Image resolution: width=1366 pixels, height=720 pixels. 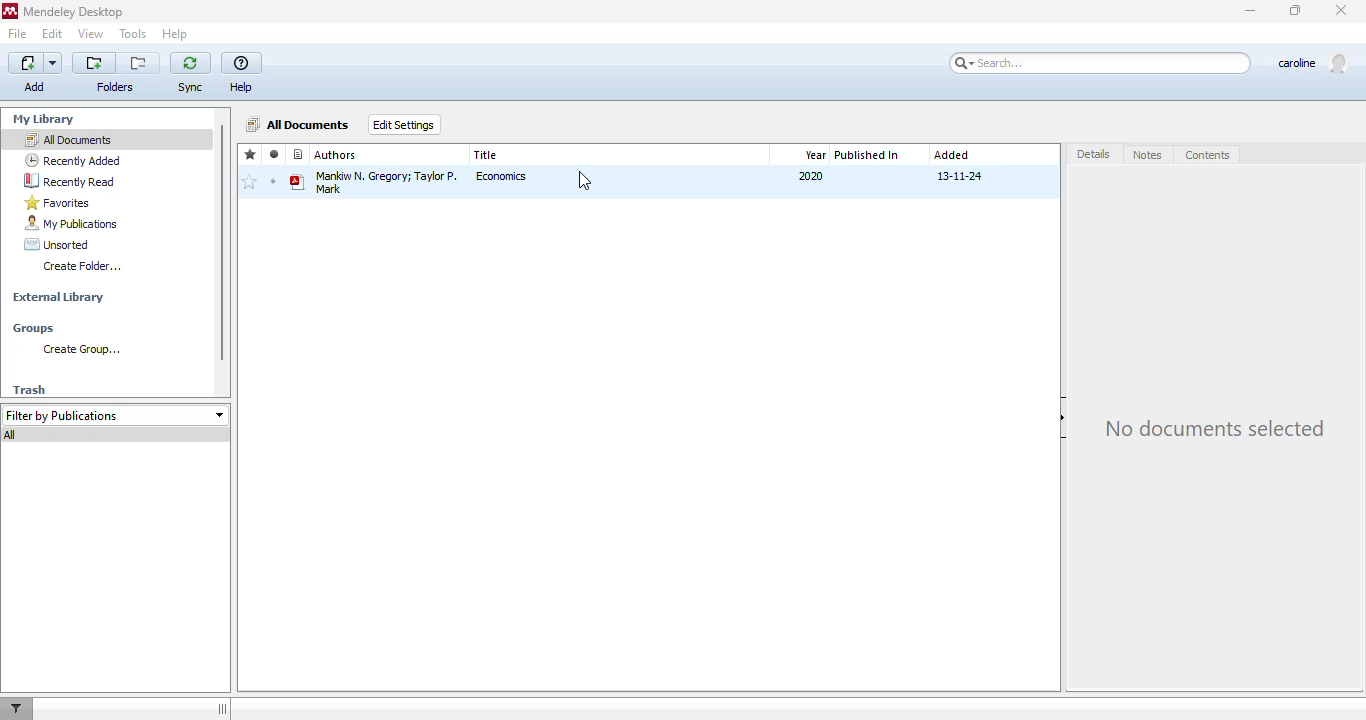 I want to click on create folder, so click(x=84, y=265).